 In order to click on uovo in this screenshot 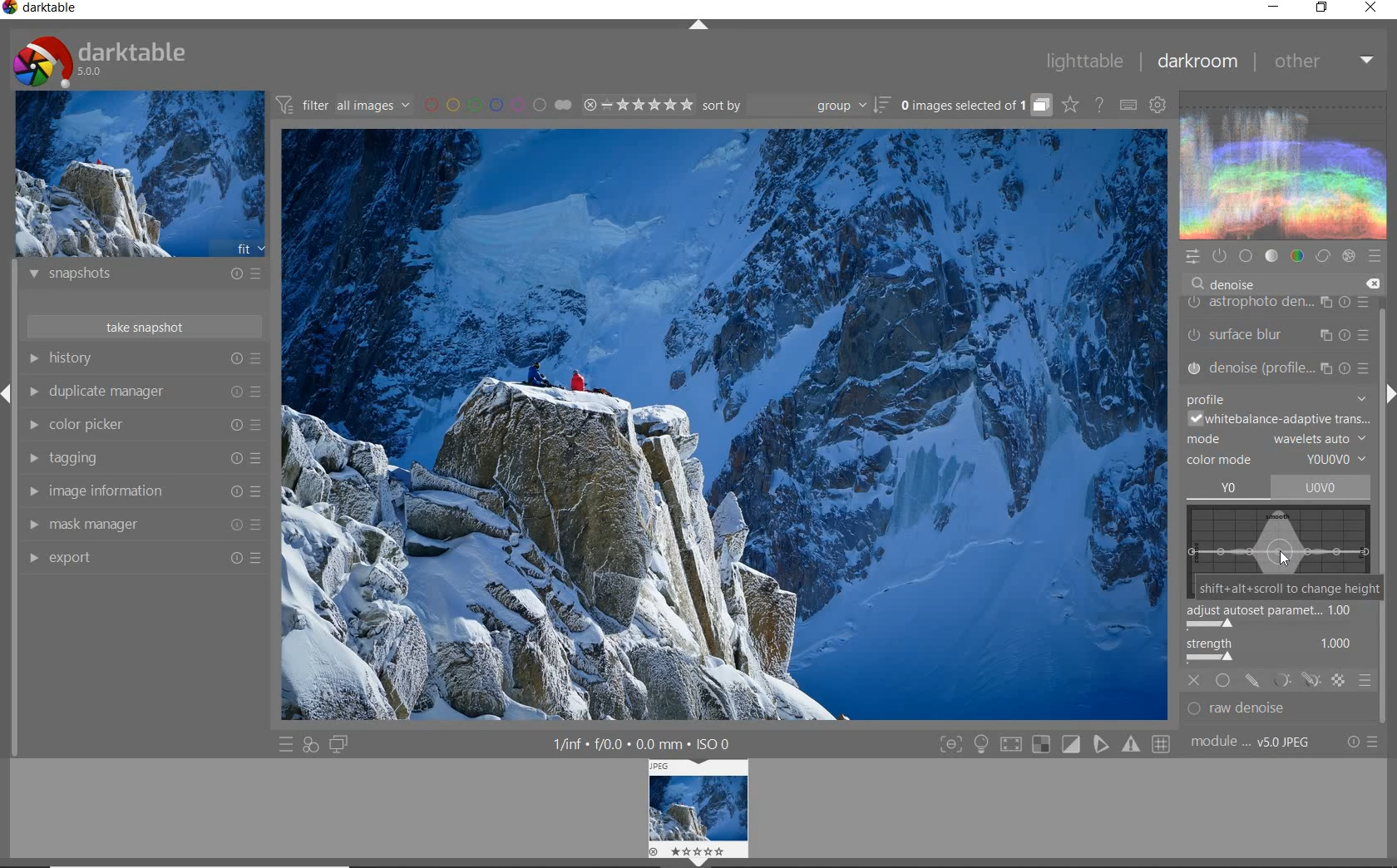, I will do `click(1326, 486)`.